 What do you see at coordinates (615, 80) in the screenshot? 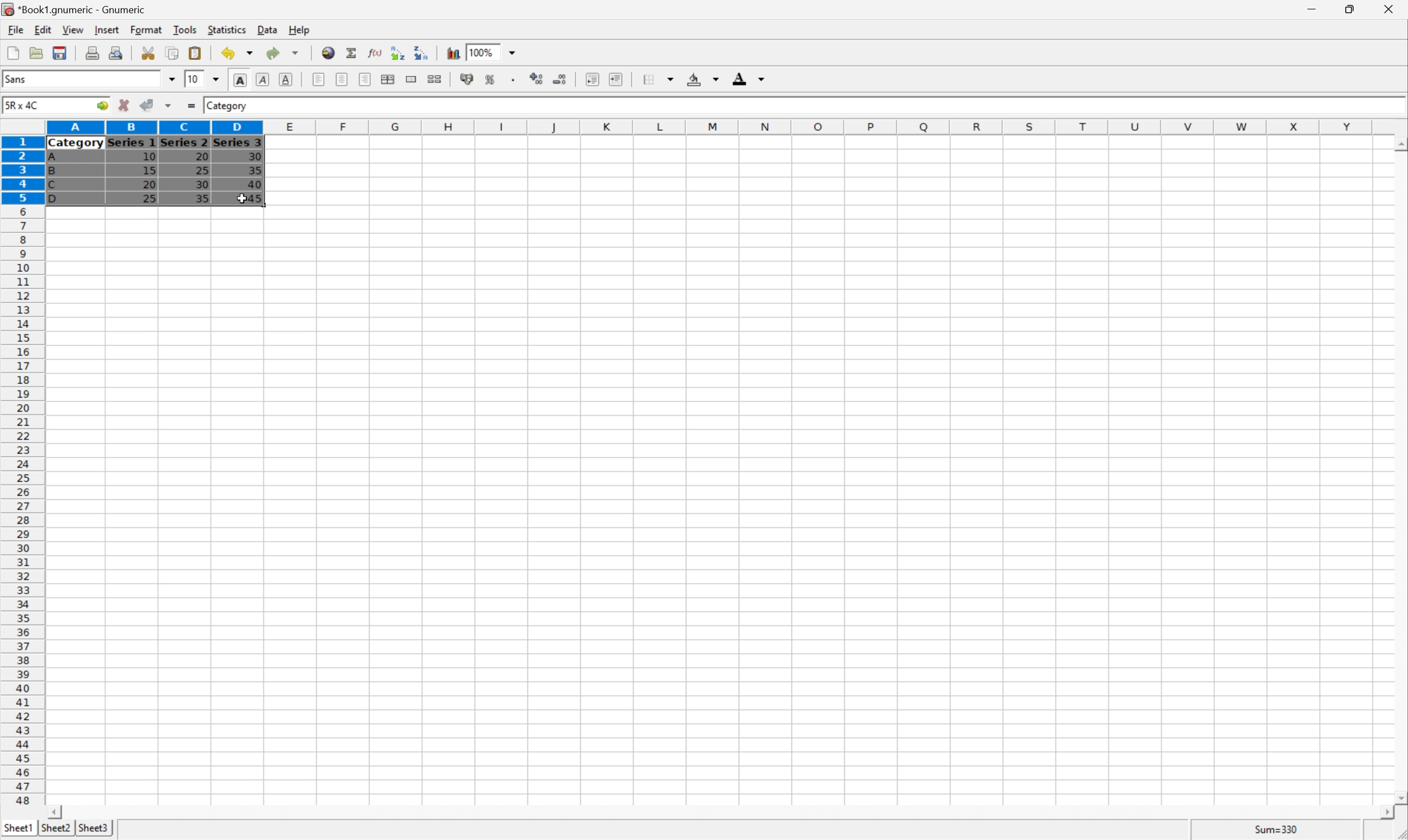
I see `Increase indent, and align the contents to the left` at bounding box center [615, 80].